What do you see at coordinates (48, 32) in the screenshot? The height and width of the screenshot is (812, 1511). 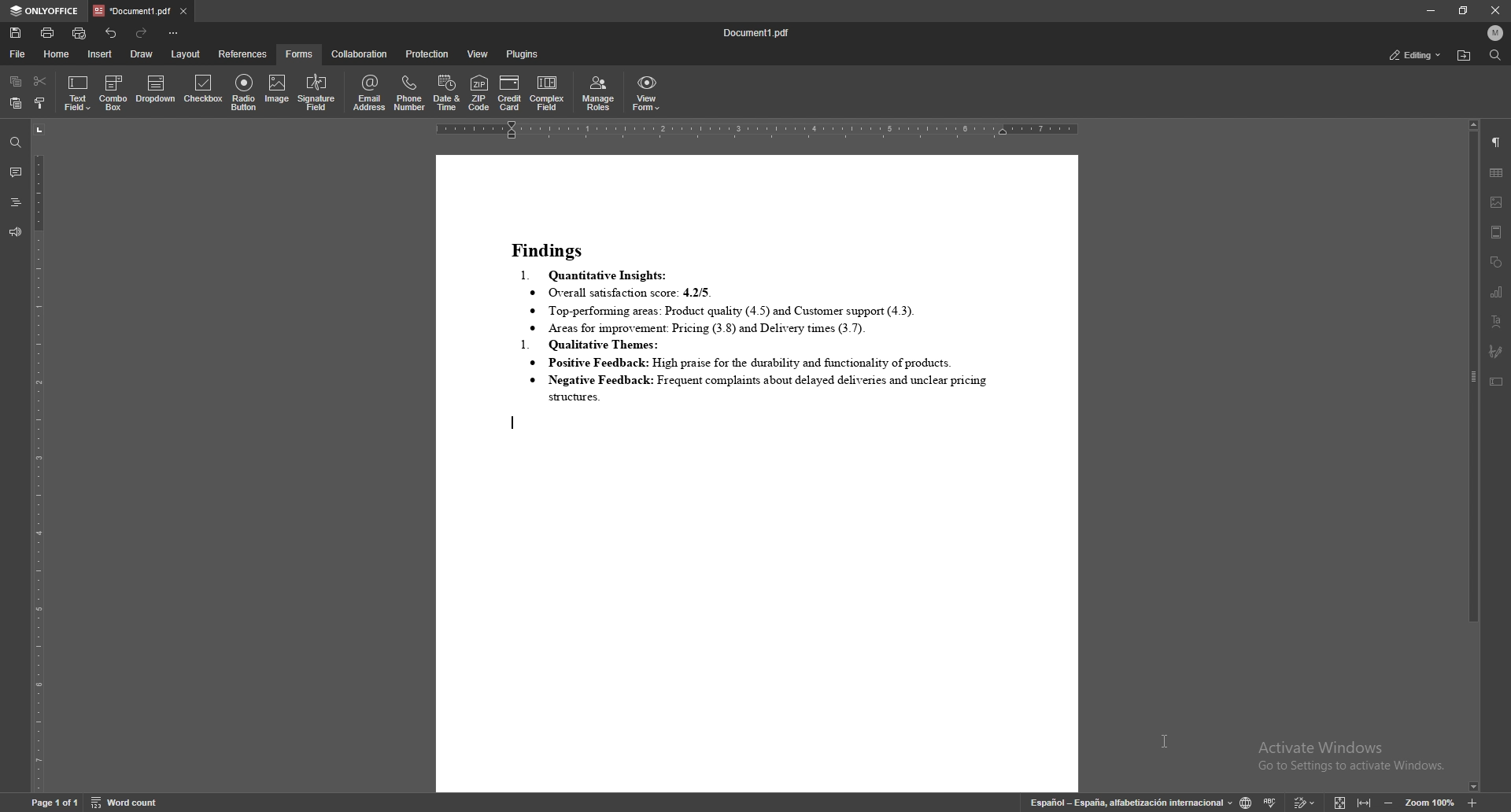 I see `print` at bounding box center [48, 32].